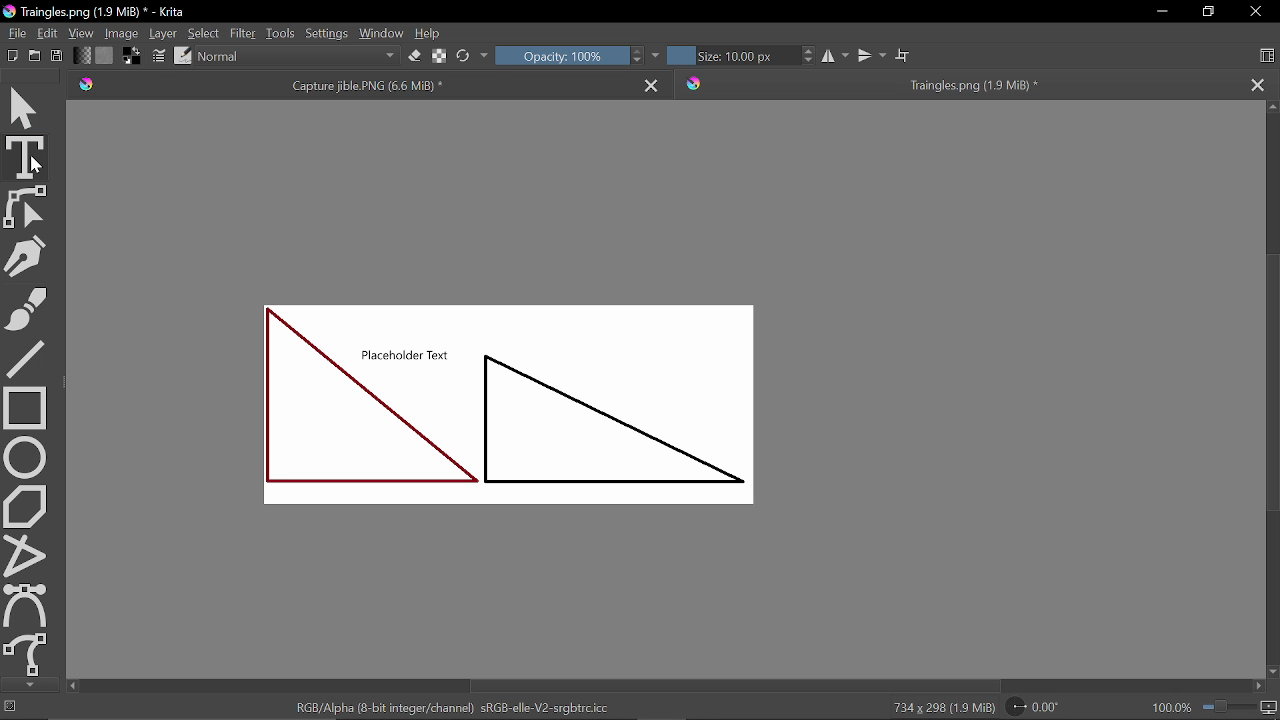 The height and width of the screenshot is (720, 1280). Describe the element at coordinates (558, 56) in the screenshot. I see `Opacity: 100%` at that location.